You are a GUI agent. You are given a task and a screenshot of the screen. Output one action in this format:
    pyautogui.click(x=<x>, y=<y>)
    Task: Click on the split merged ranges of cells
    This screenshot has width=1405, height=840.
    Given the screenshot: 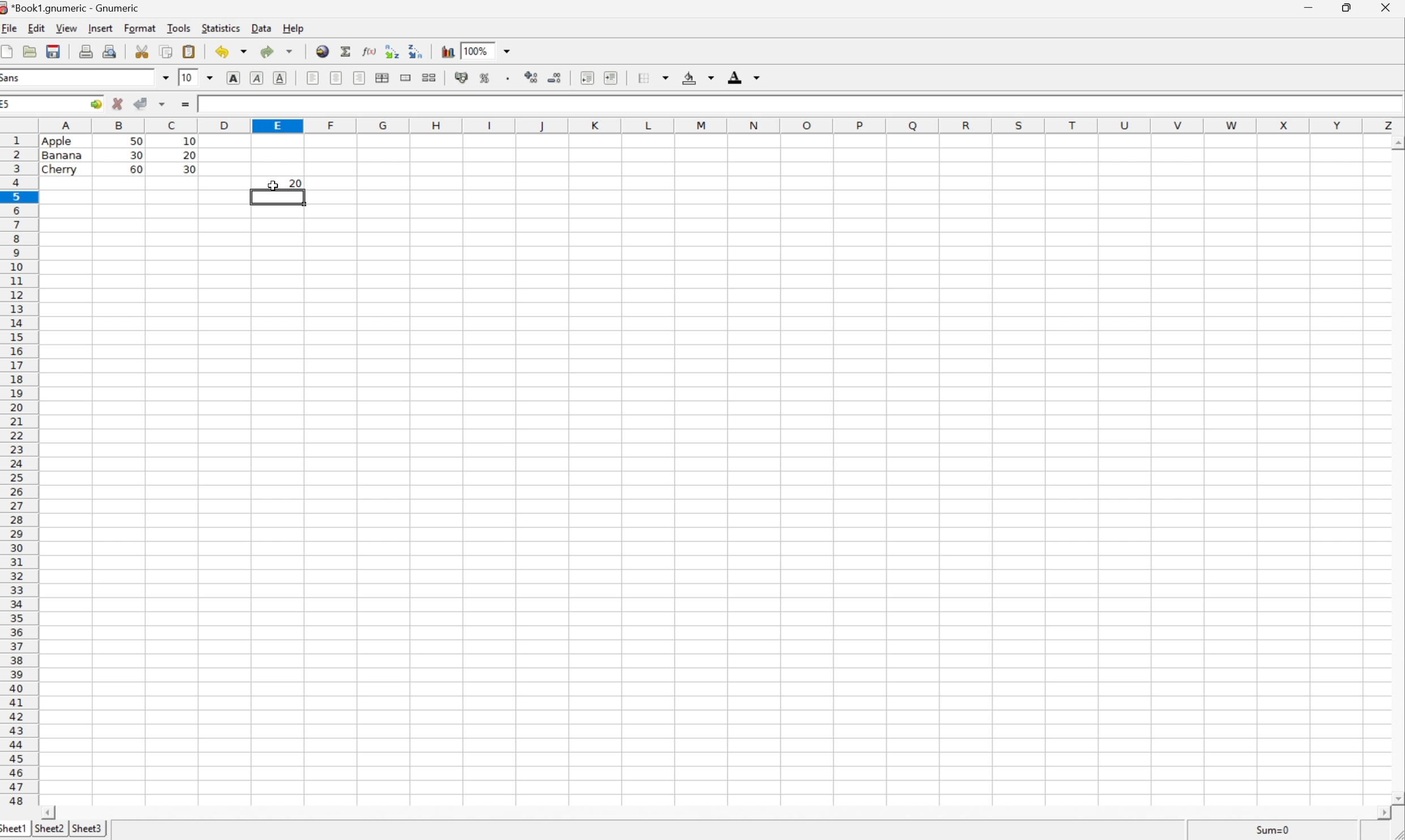 What is the action you would take?
    pyautogui.click(x=430, y=78)
    